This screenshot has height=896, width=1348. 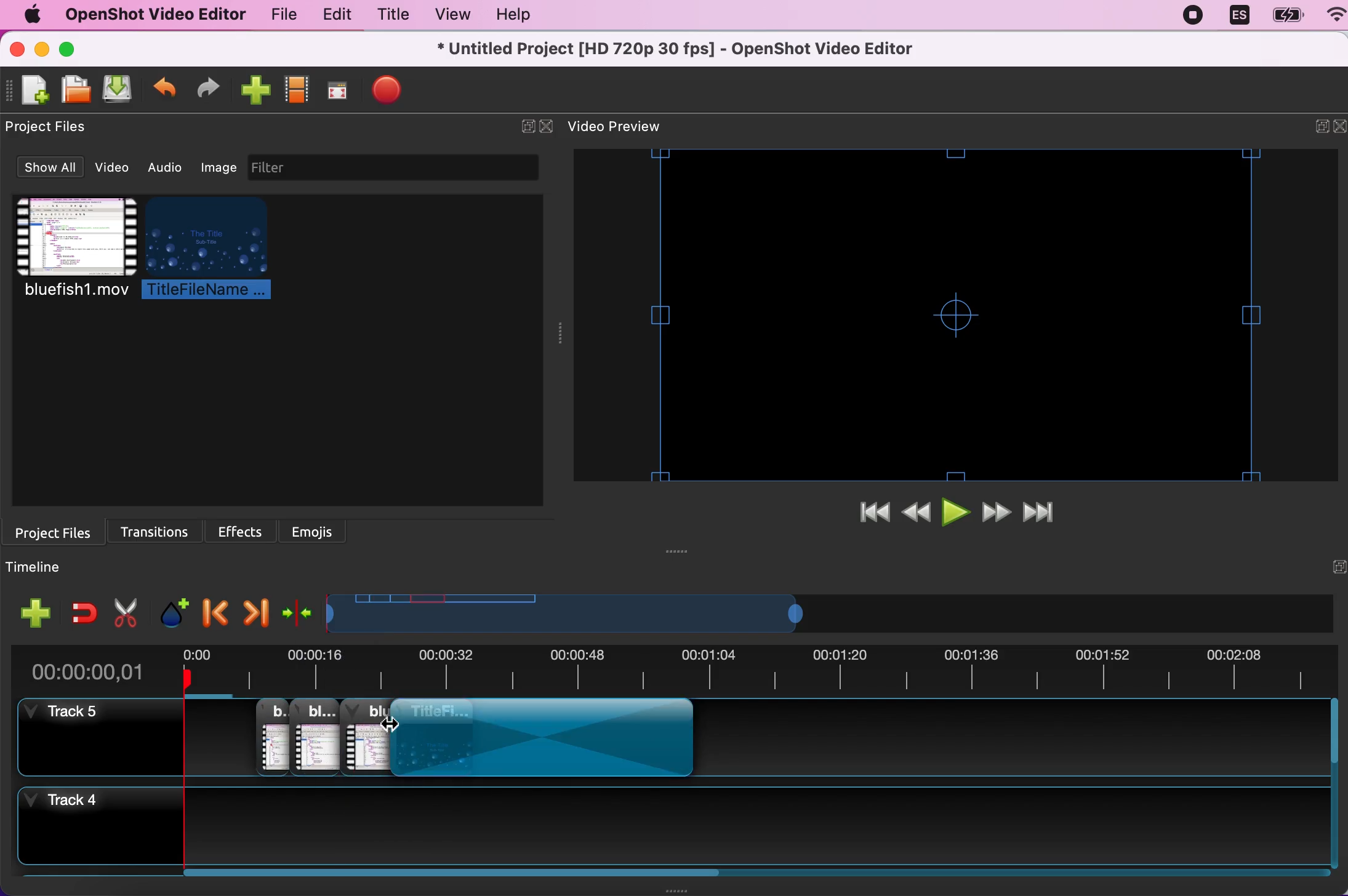 I want to click on edit, so click(x=334, y=15).